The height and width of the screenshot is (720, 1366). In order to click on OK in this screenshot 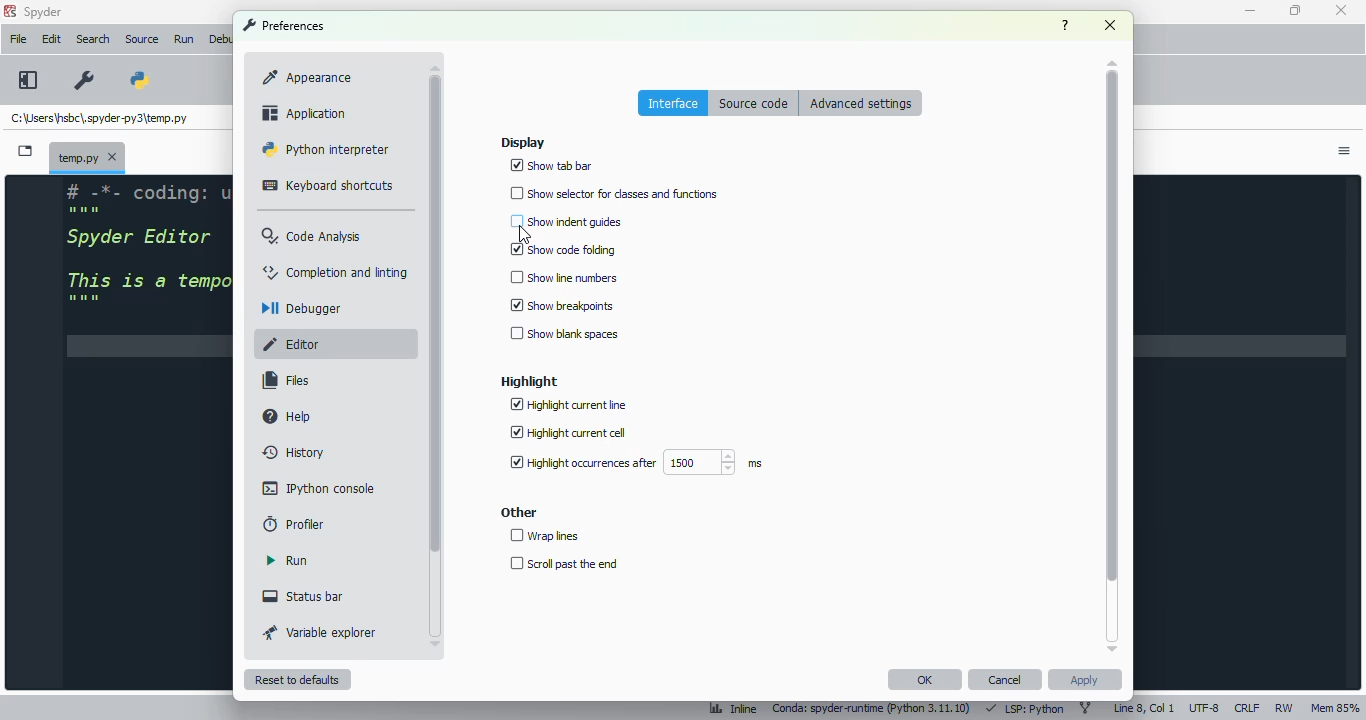, I will do `click(925, 680)`.